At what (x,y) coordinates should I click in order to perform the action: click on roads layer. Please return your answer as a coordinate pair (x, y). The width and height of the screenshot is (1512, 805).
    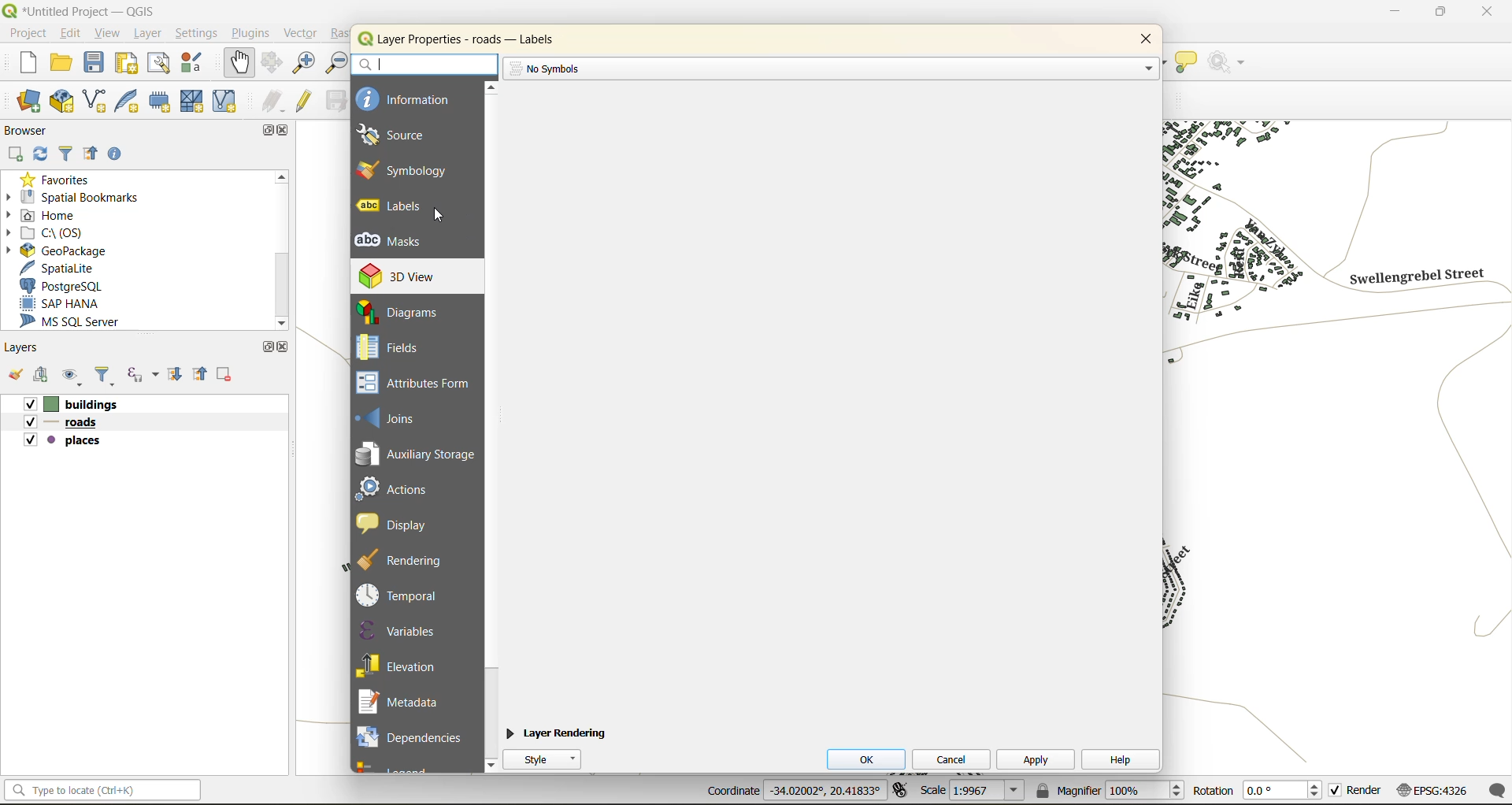
    Looking at the image, I should click on (68, 423).